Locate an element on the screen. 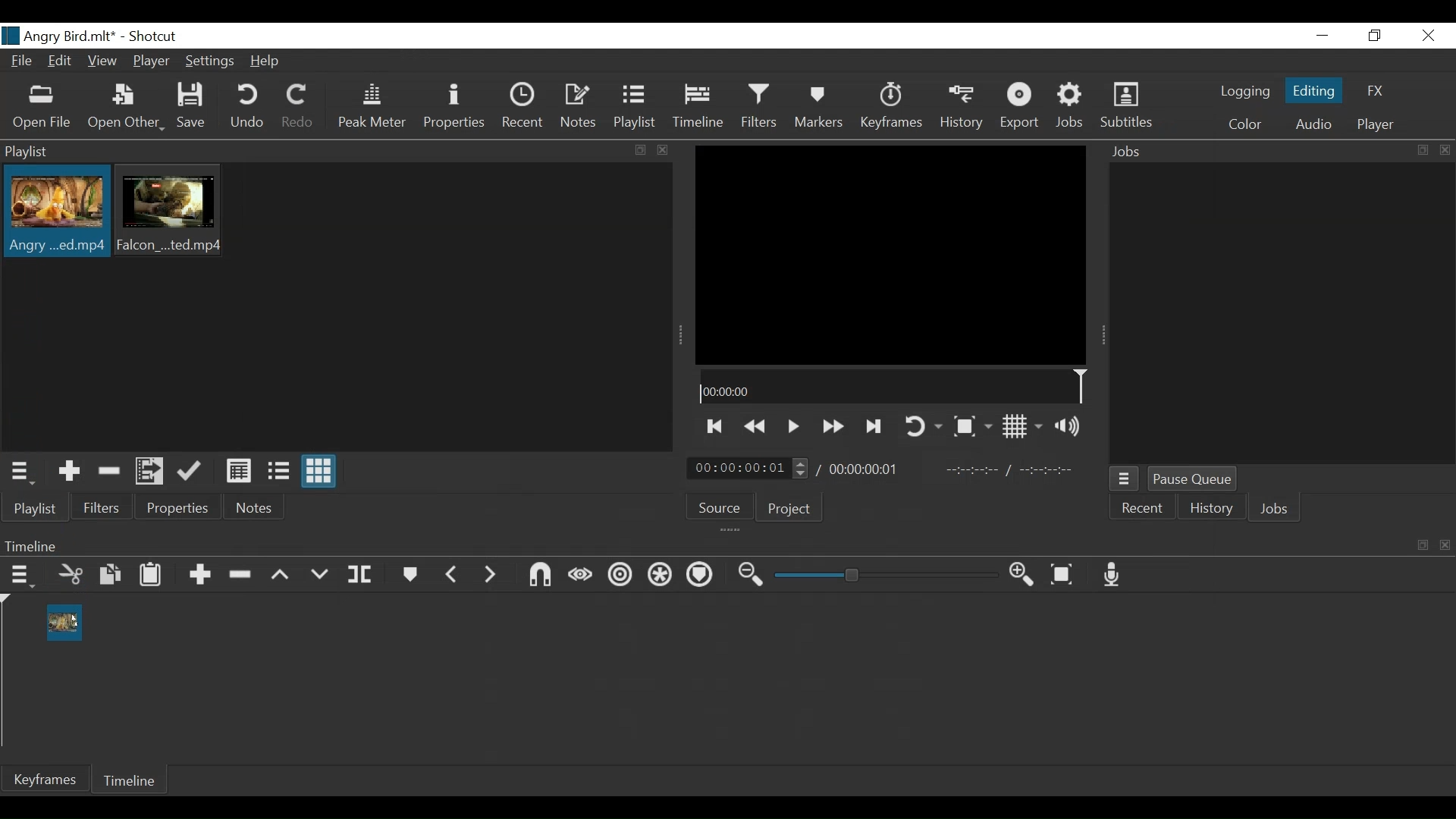  Split at playhead is located at coordinates (362, 573).